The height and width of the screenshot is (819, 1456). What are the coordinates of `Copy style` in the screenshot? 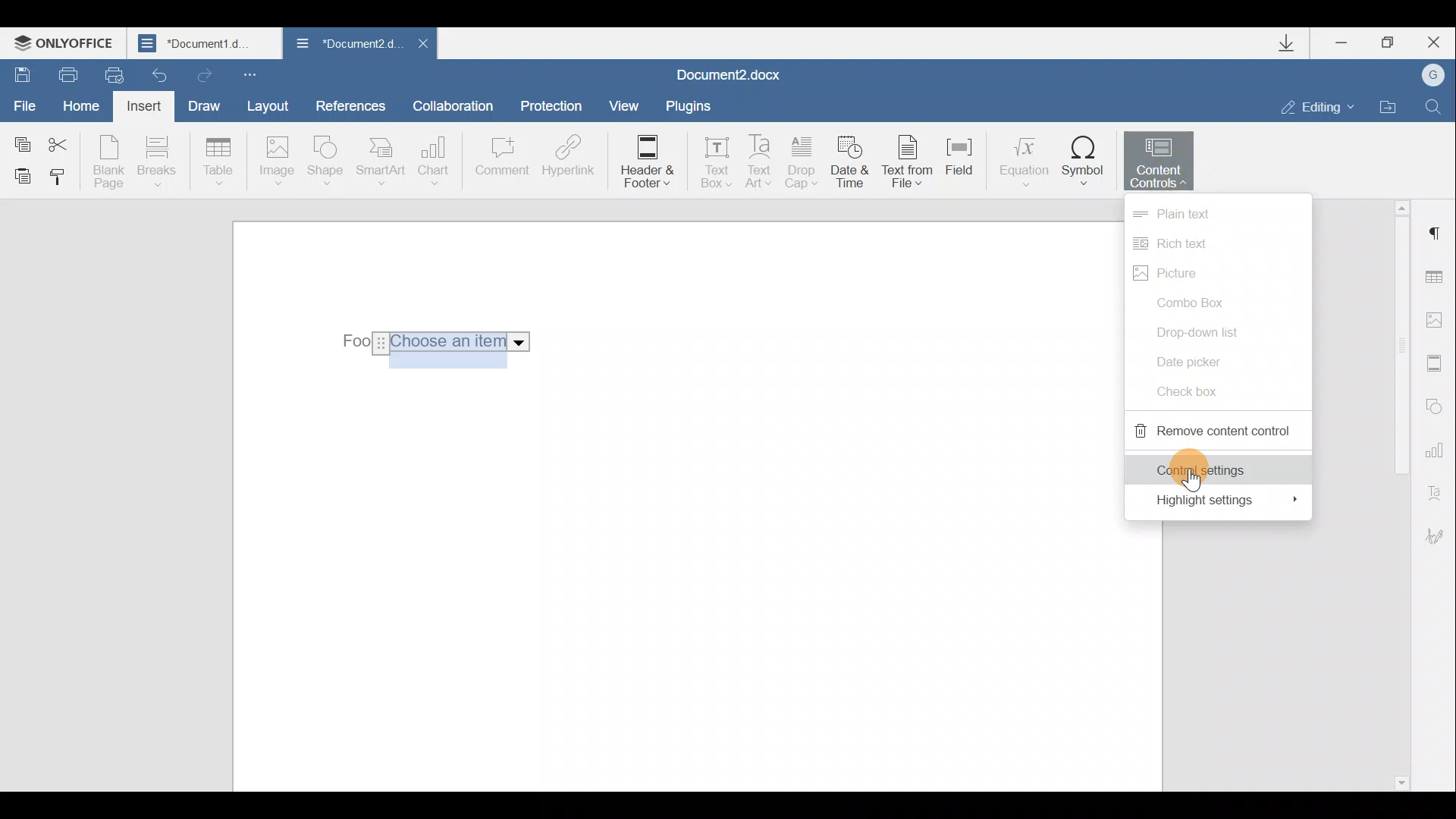 It's located at (59, 180).